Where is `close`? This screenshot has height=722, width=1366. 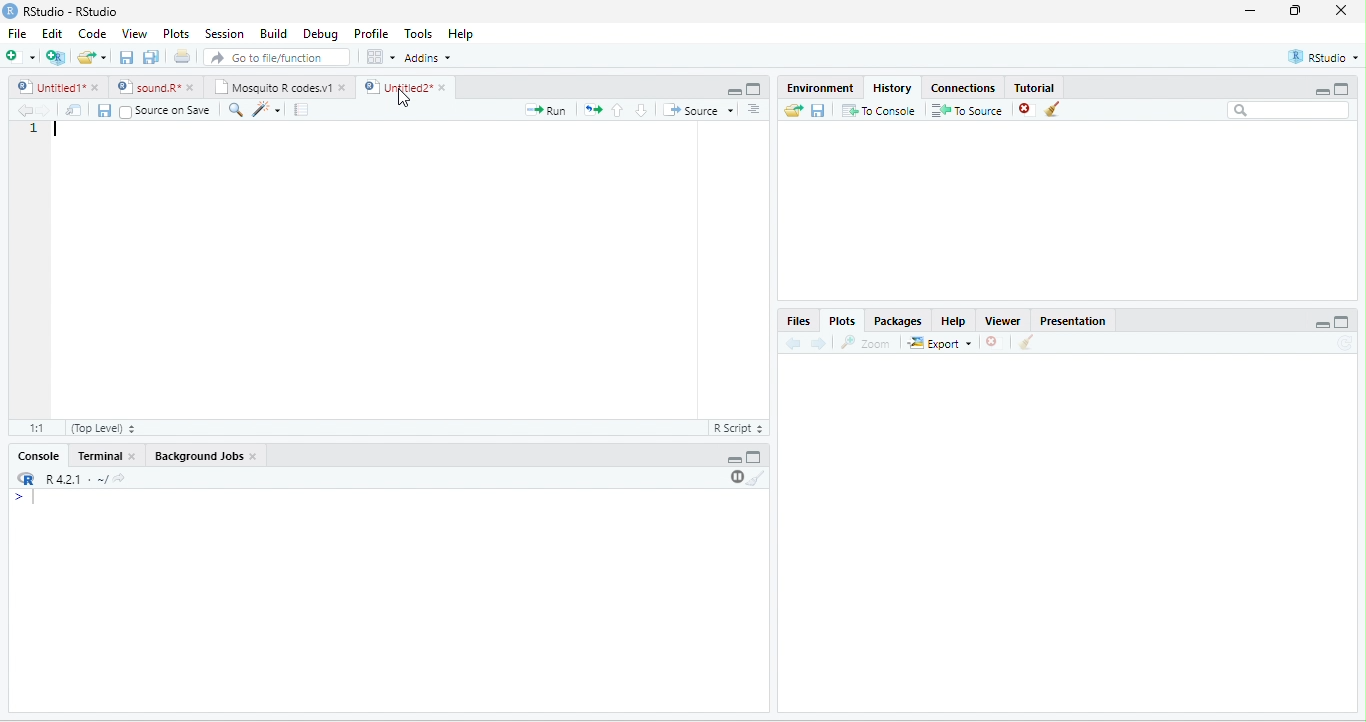 close is located at coordinates (1341, 10).